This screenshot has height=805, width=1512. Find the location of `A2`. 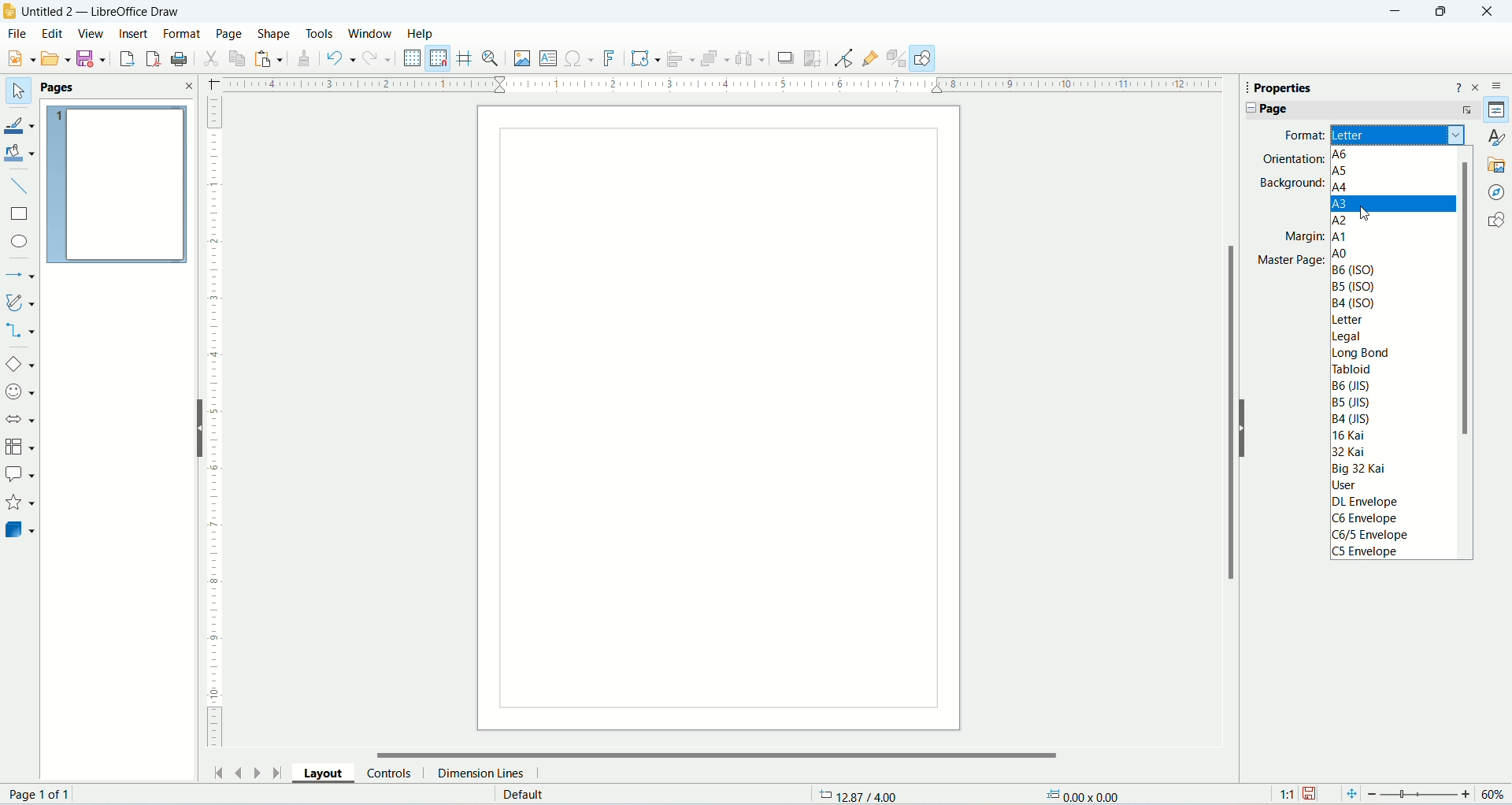

A2 is located at coordinates (1340, 217).